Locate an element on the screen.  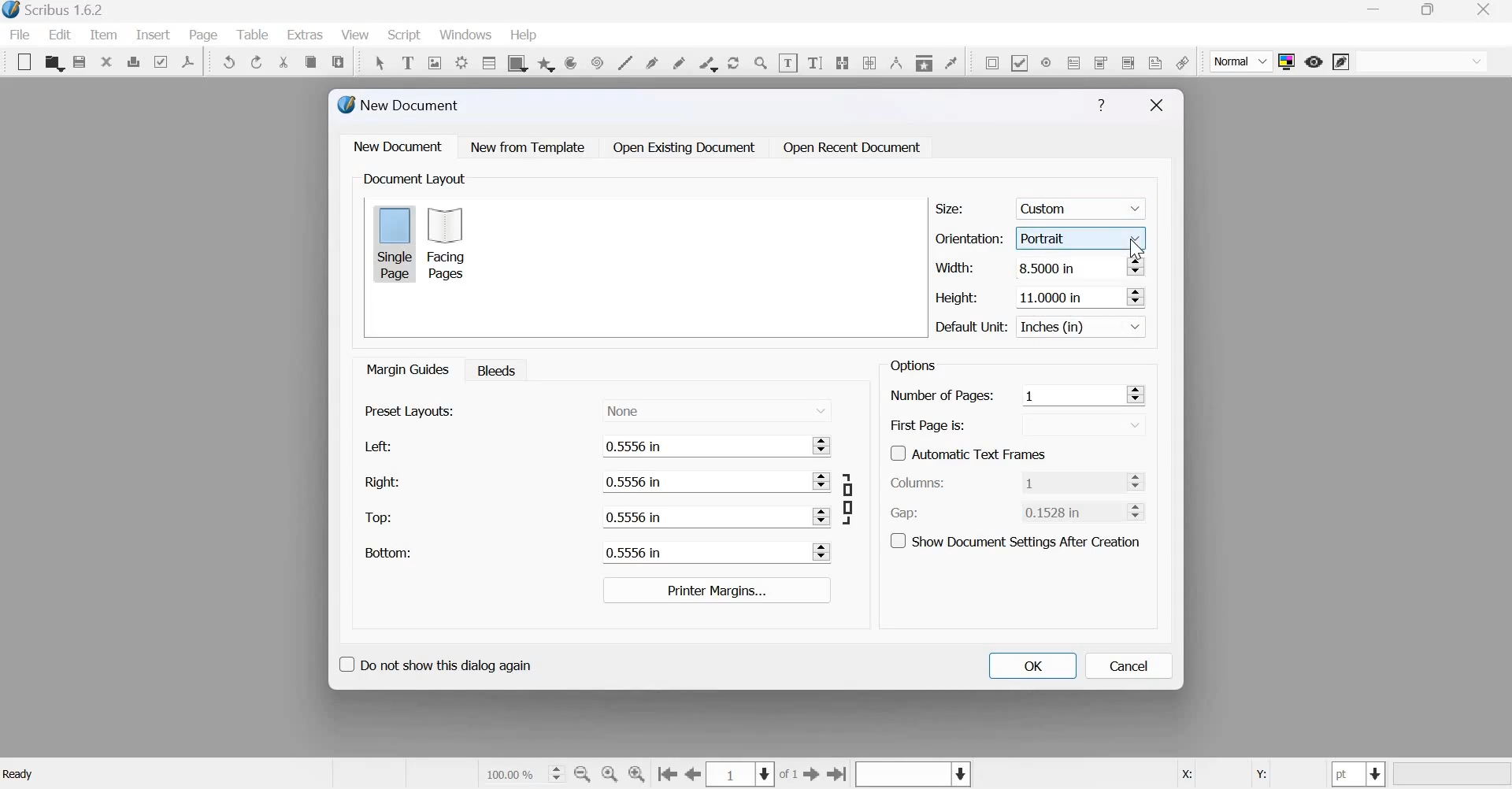
Automatic Text Frames is located at coordinates (969, 452).